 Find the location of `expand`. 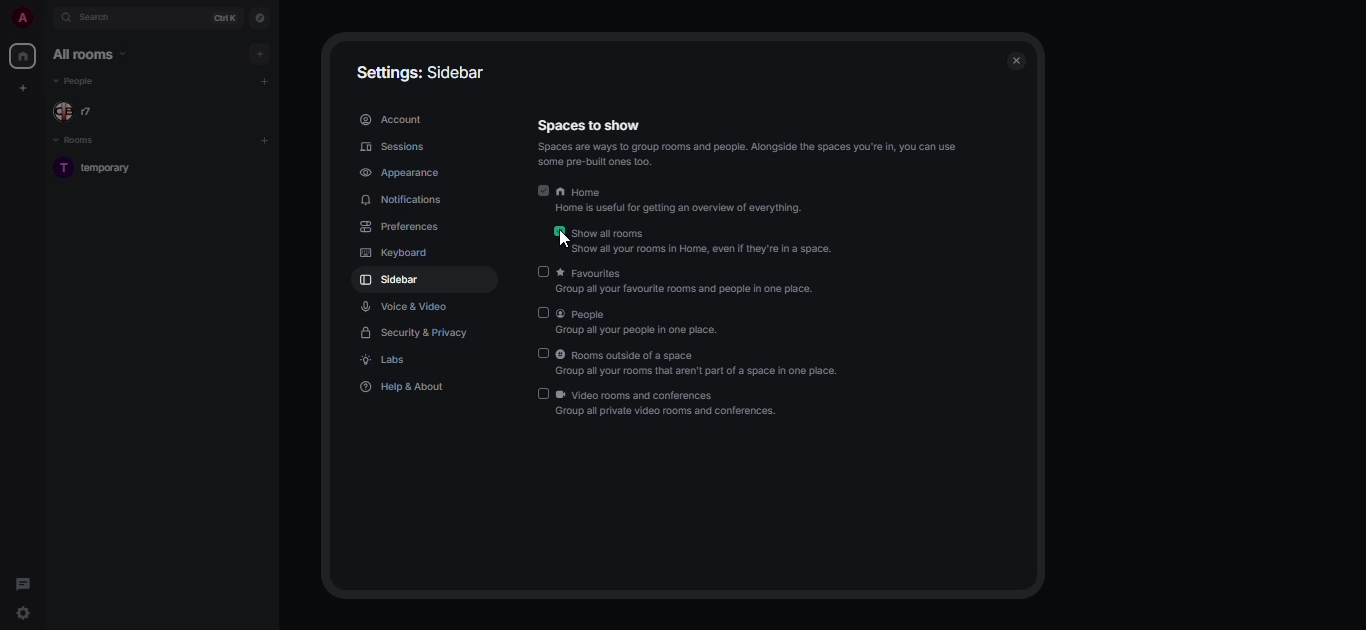

expand is located at coordinates (41, 19).